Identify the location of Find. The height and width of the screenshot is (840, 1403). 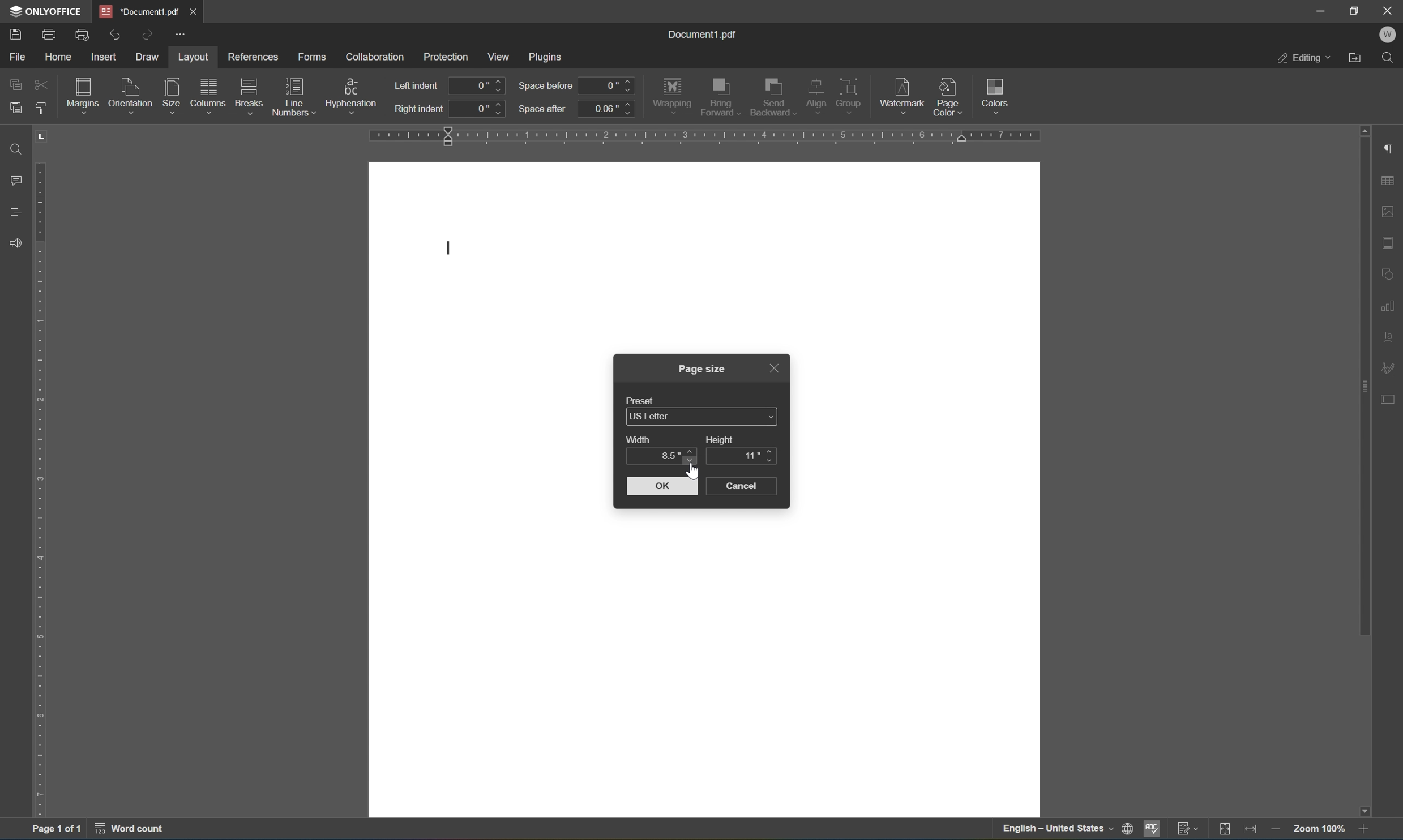
(1392, 59).